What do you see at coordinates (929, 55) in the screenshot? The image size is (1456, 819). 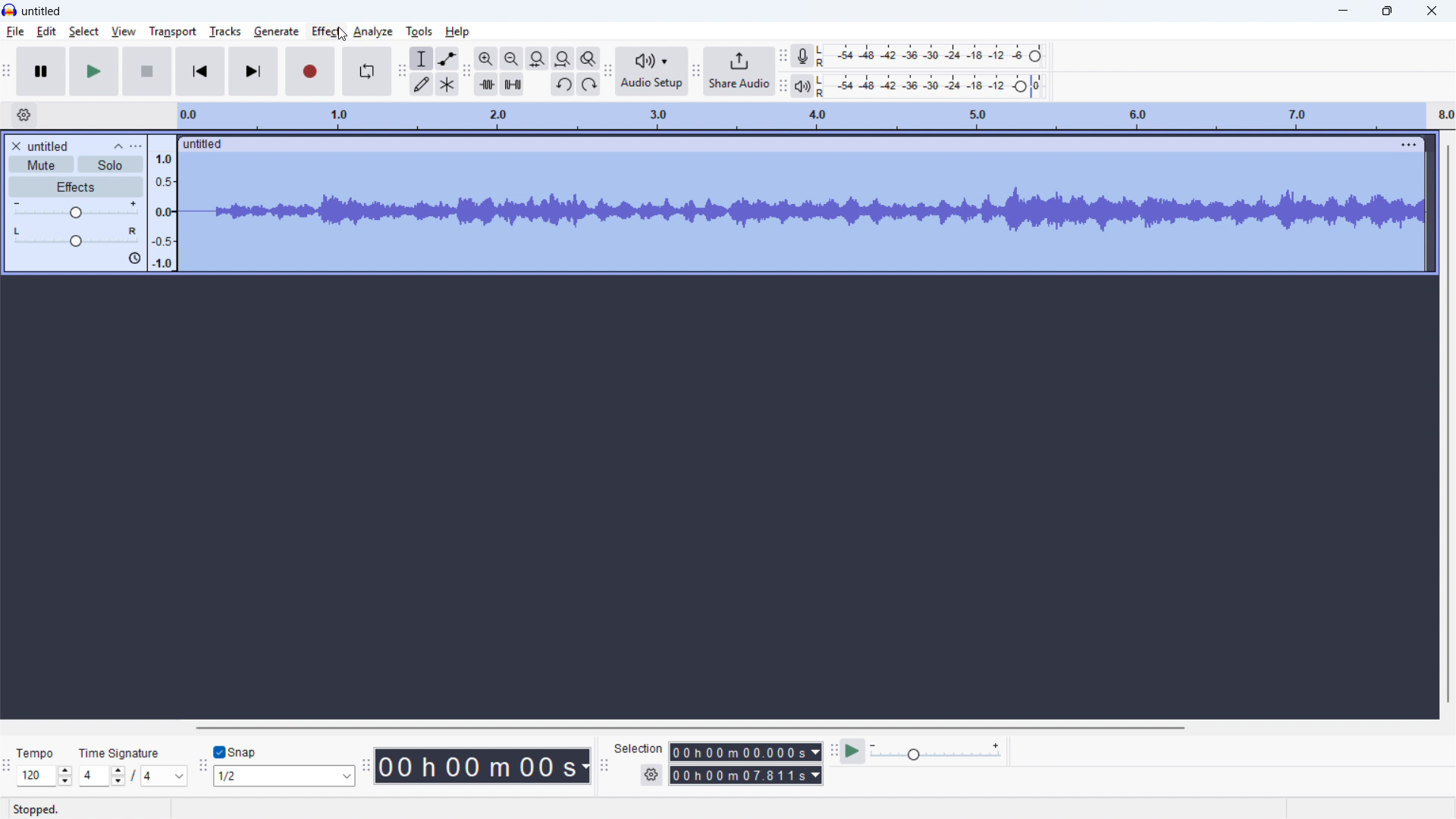 I see `Recording level ` at bounding box center [929, 55].